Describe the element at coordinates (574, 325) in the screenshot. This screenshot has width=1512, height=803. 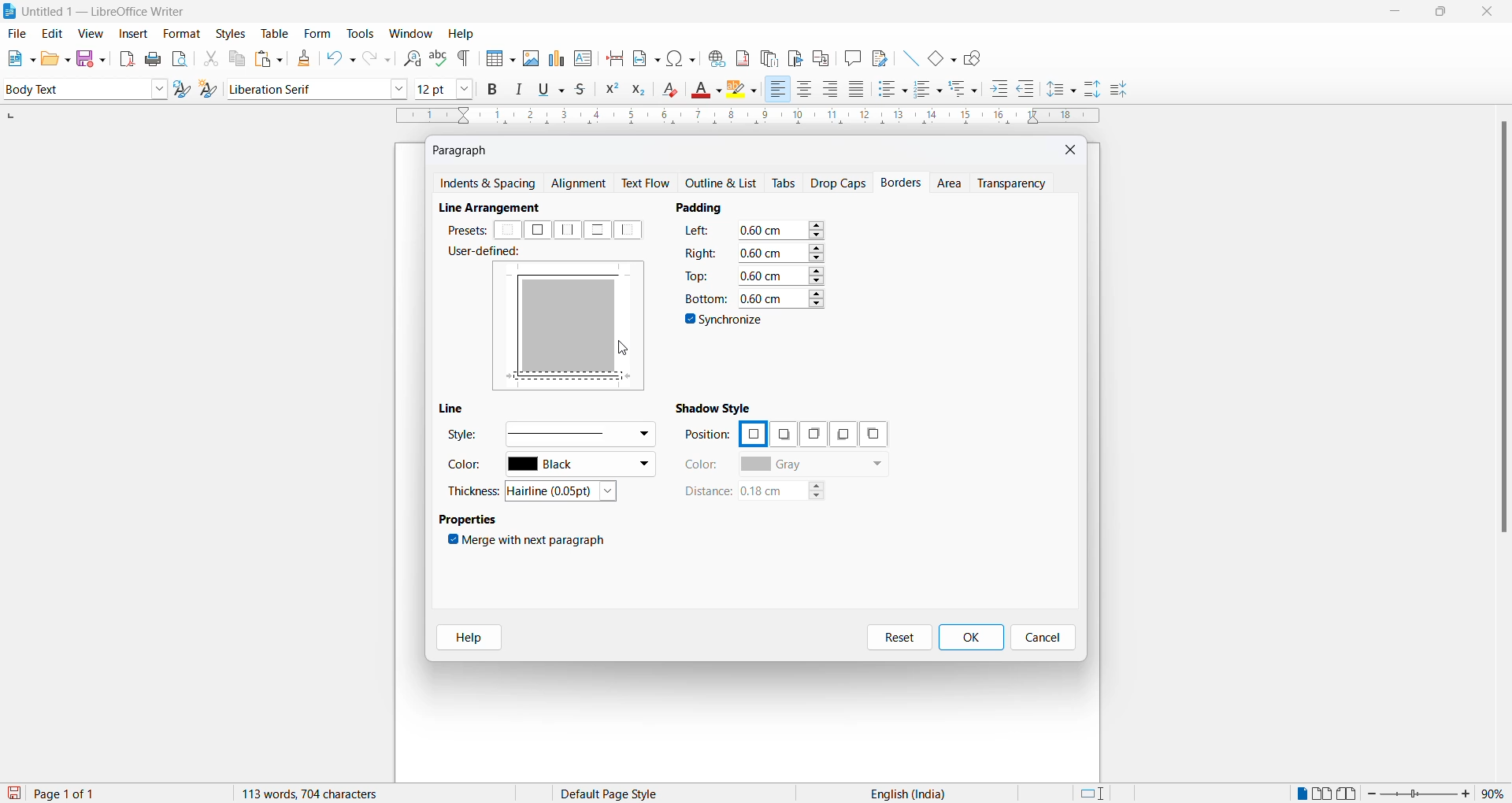
I see `paragraph mapping` at that location.